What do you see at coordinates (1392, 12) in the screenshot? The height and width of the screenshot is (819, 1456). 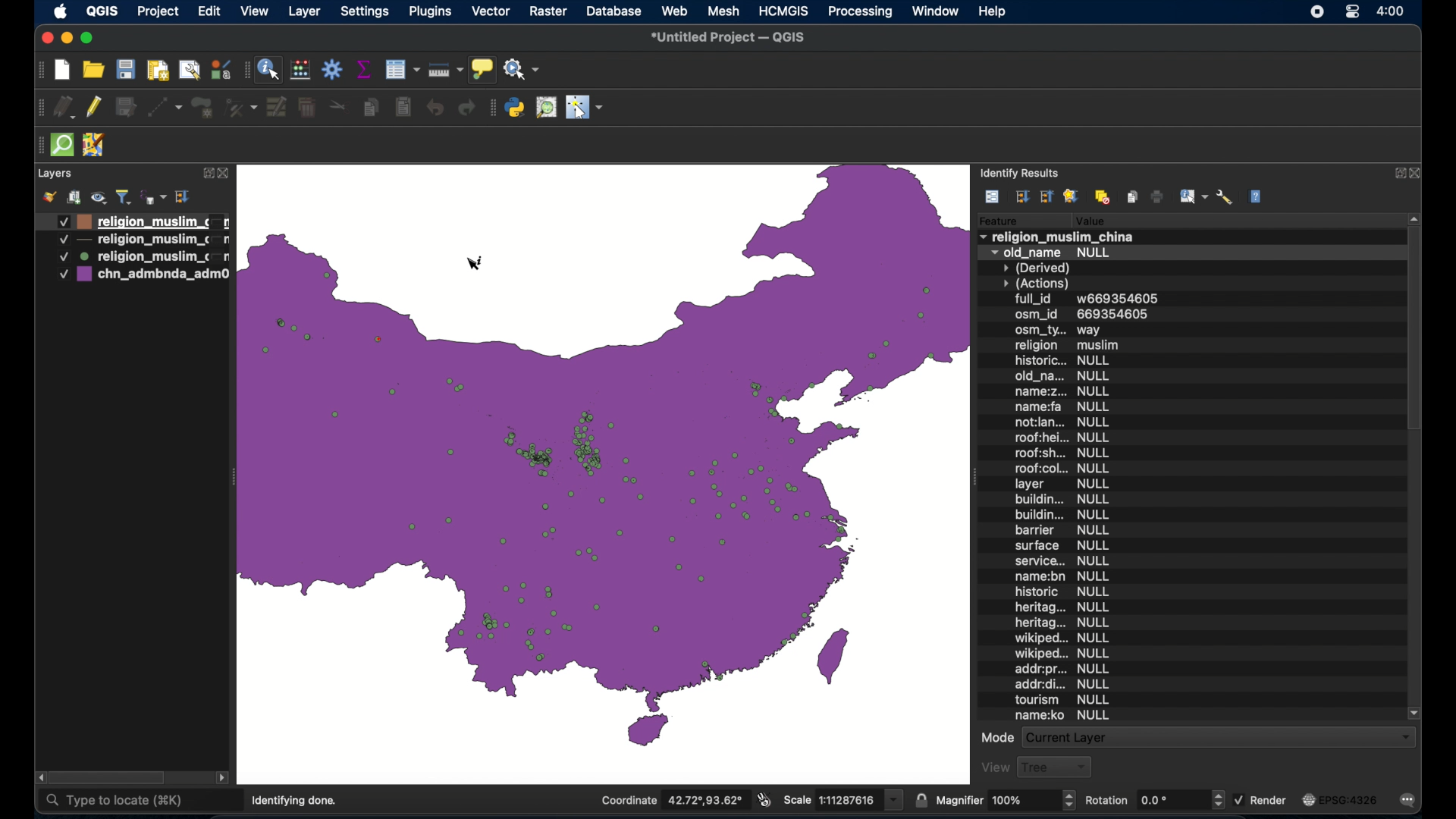 I see `time` at bounding box center [1392, 12].